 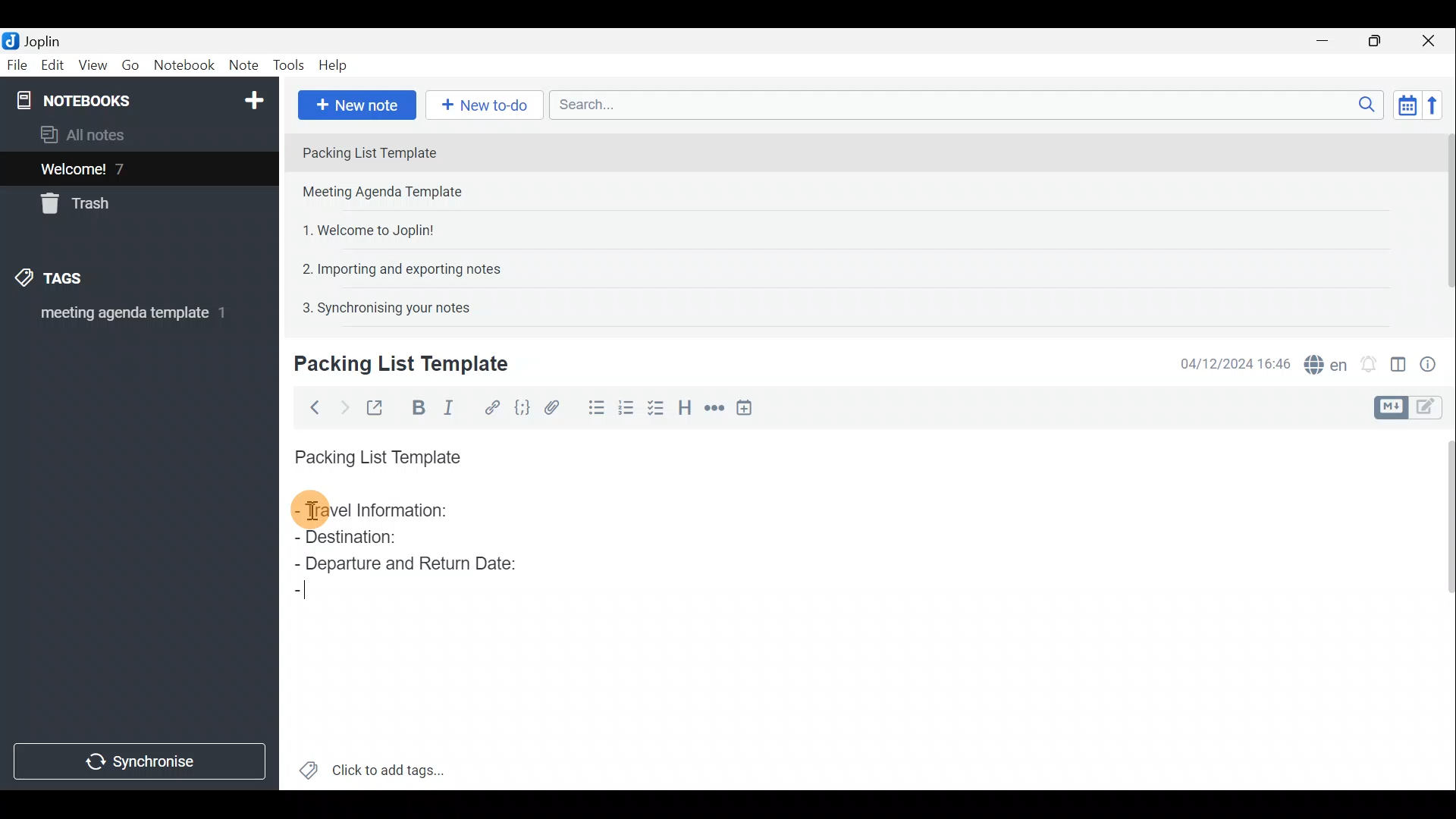 What do you see at coordinates (1368, 360) in the screenshot?
I see `Set alarm` at bounding box center [1368, 360].